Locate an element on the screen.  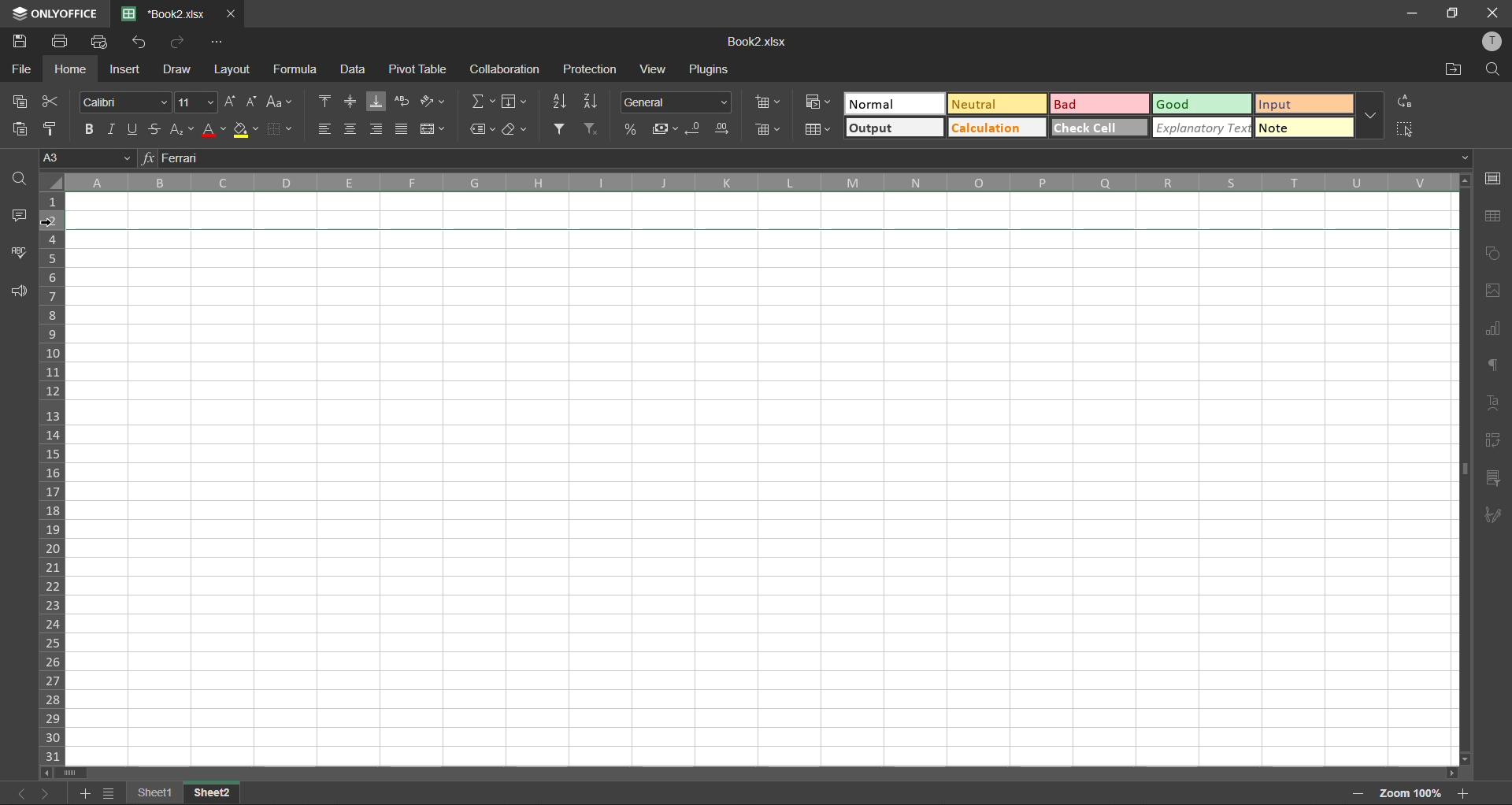
save is located at coordinates (21, 39).